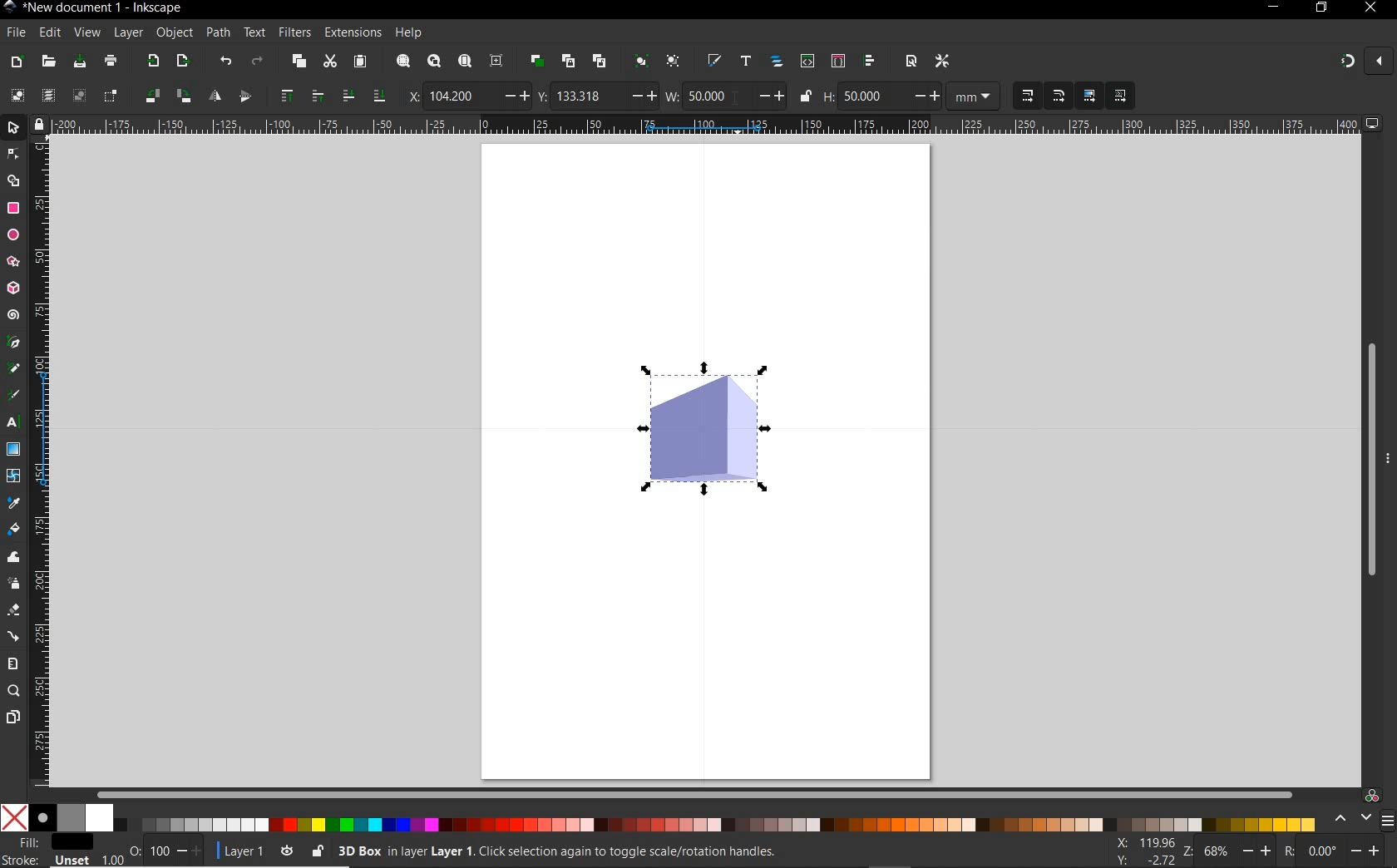 This screenshot has width=1397, height=868. I want to click on group, so click(639, 60).